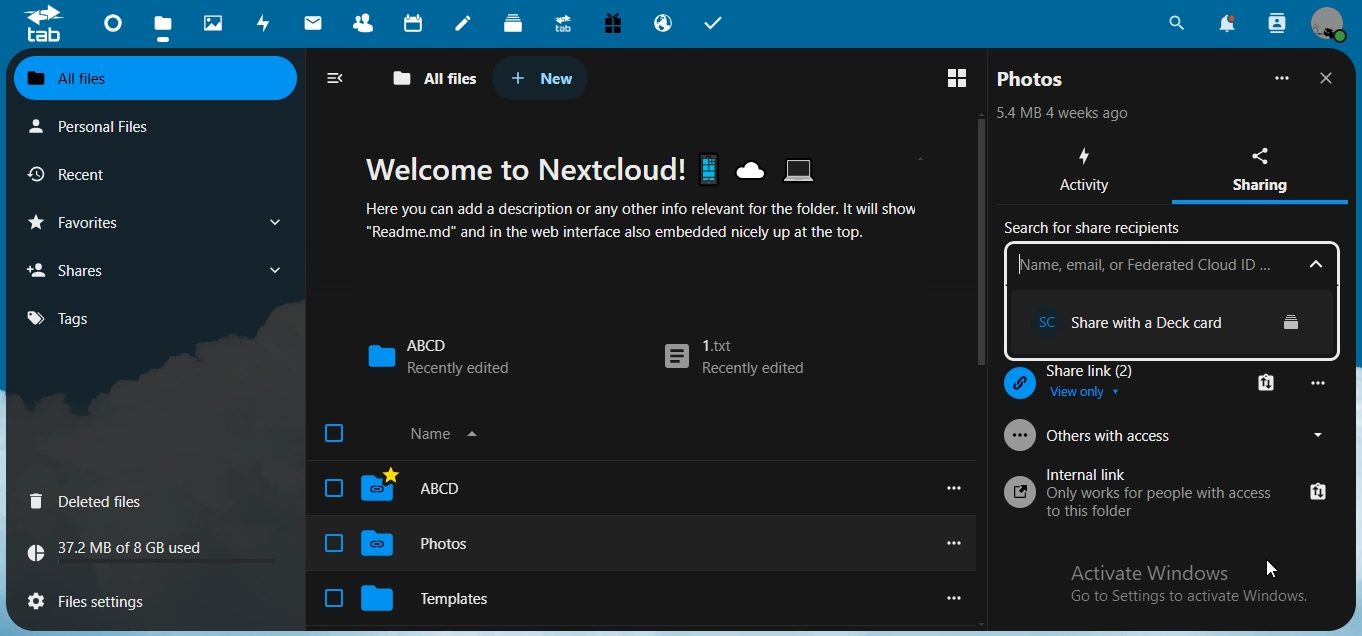 Image resolution: width=1362 pixels, height=636 pixels. Describe the element at coordinates (316, 25) in the screenshot. I see `mail` at that location.